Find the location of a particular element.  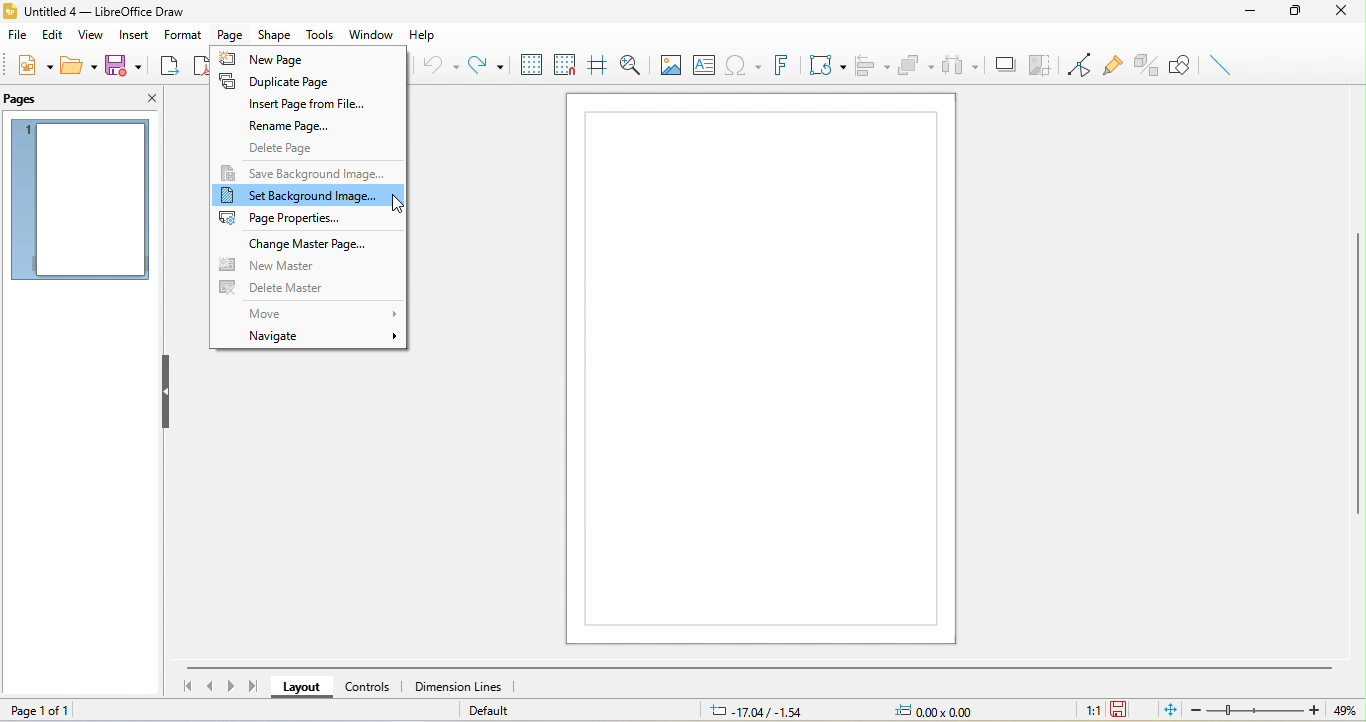

page properties is located at coordinates (292, 218).